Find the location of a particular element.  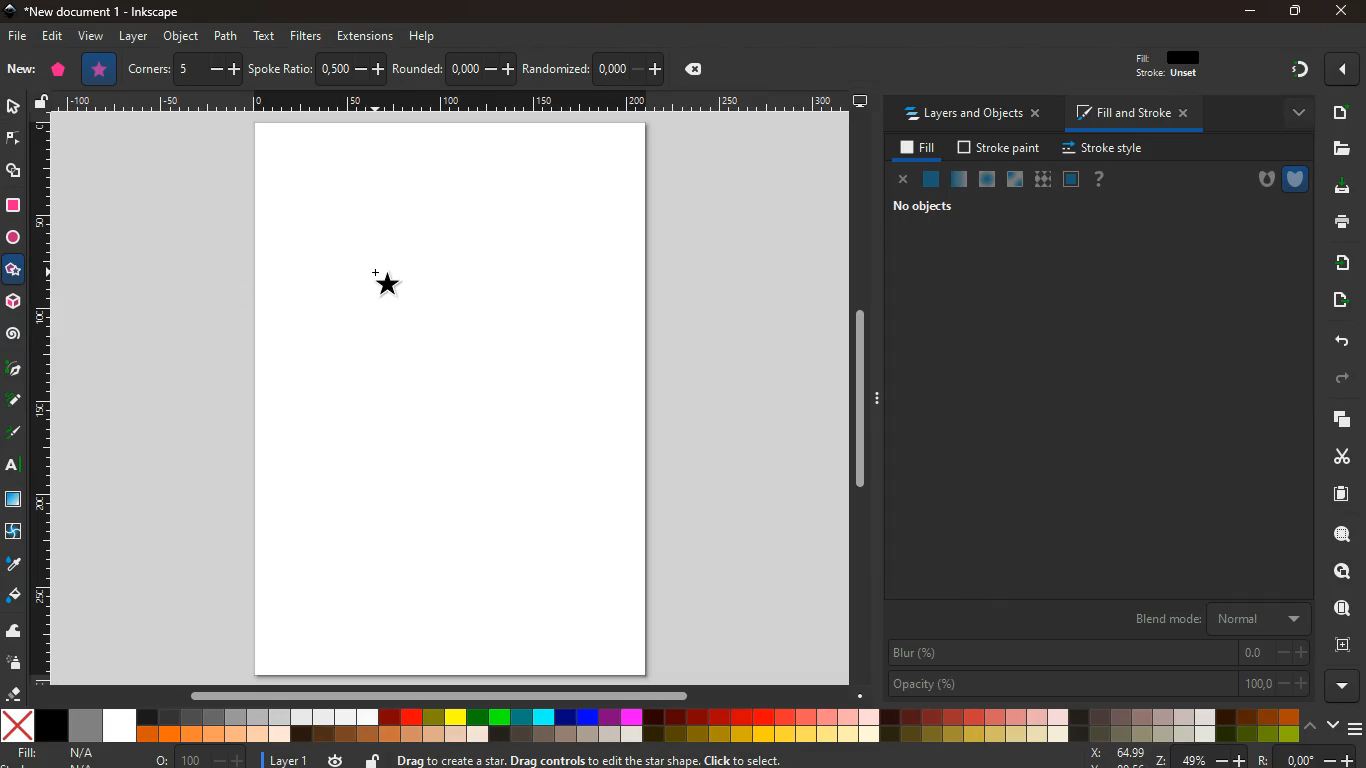

maximize is located at coordinates (1293, 9).